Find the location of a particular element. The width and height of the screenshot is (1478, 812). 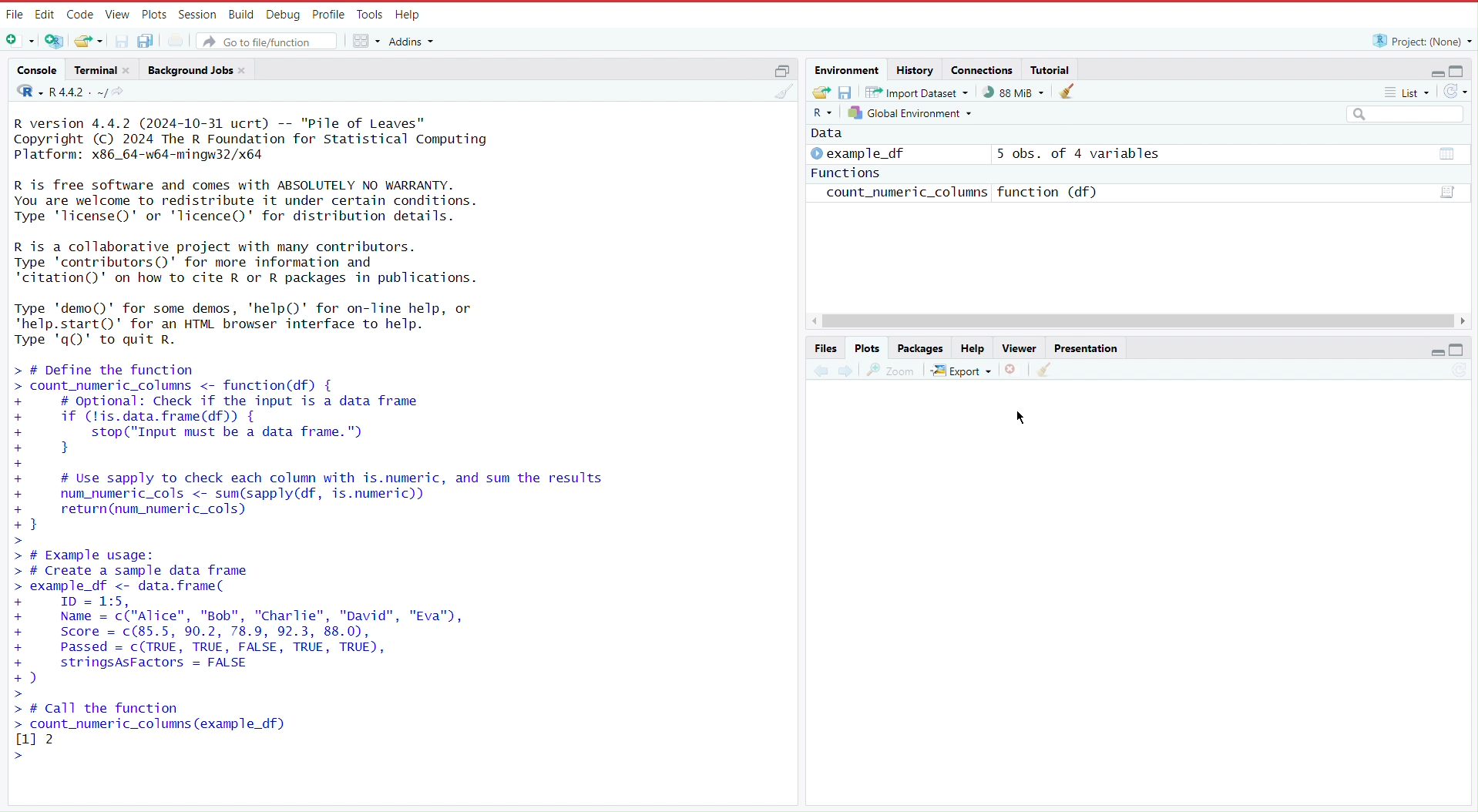

Create a project is located at coordinates (56, 40).